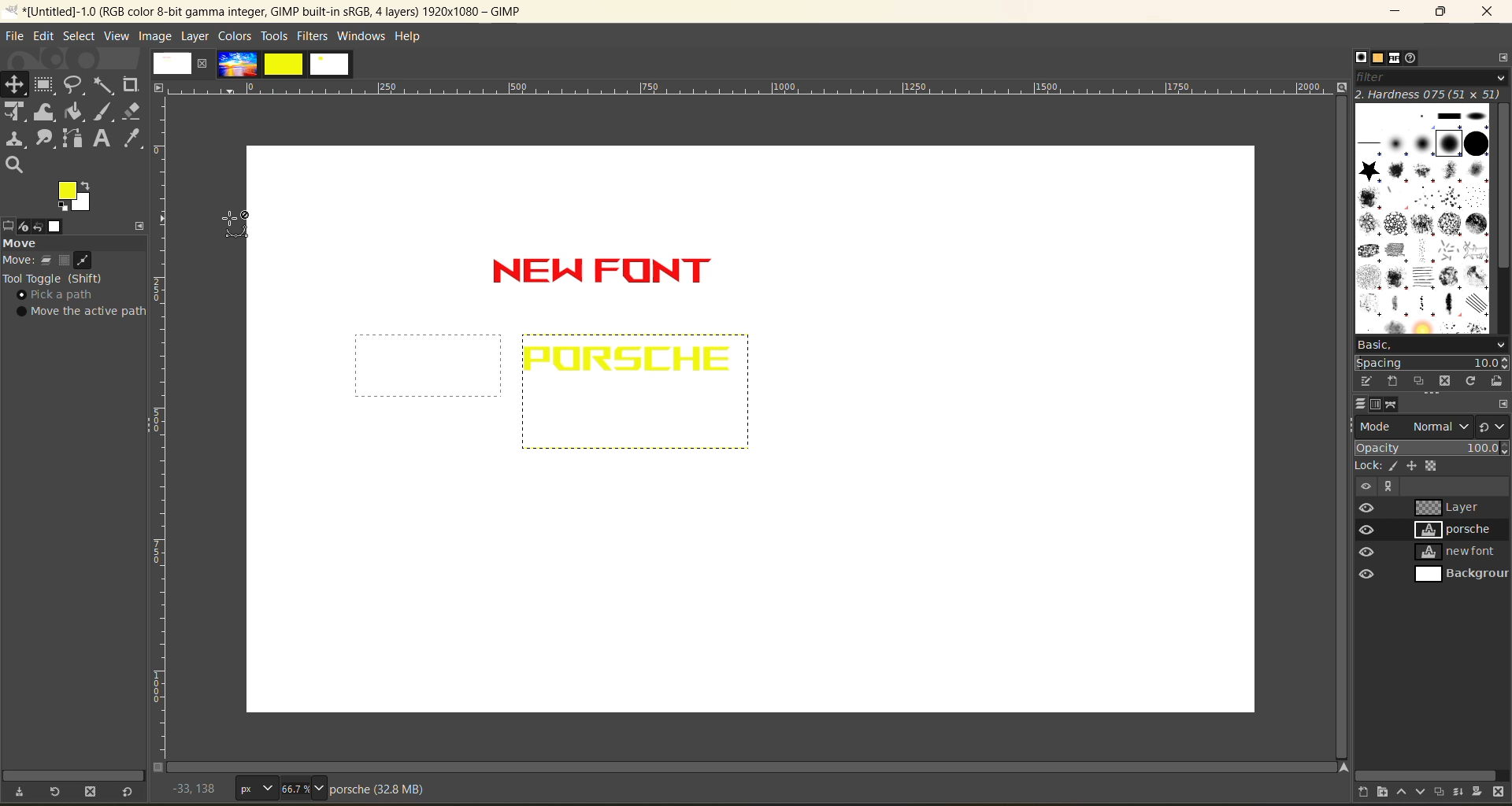 This screenshot has width=1512, height=806. Describe the element at coordinates (1399, 793) in the screenshot. I see `raise the layer` at that location.